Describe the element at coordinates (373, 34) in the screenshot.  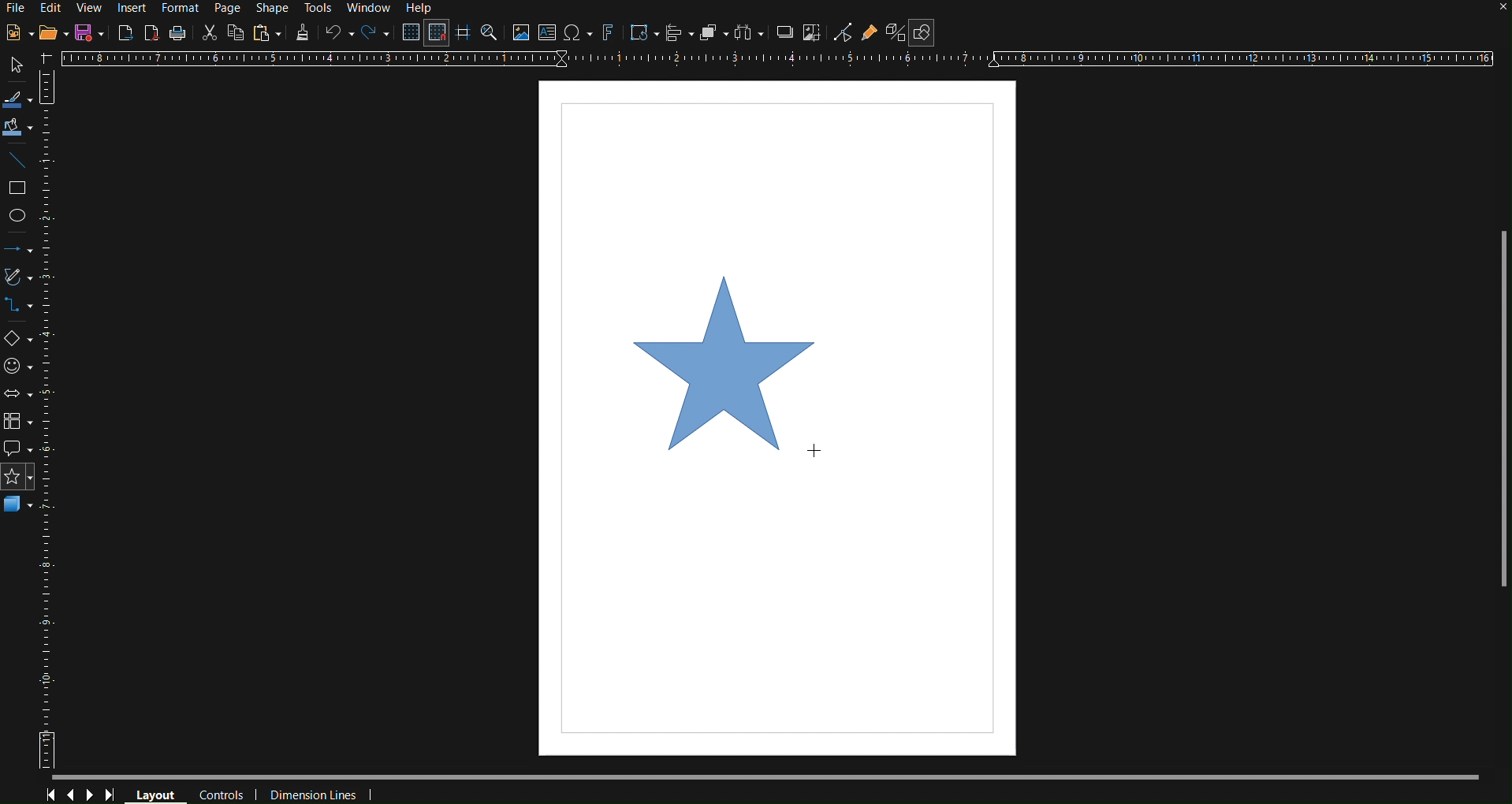
I see `Redo` at that location.